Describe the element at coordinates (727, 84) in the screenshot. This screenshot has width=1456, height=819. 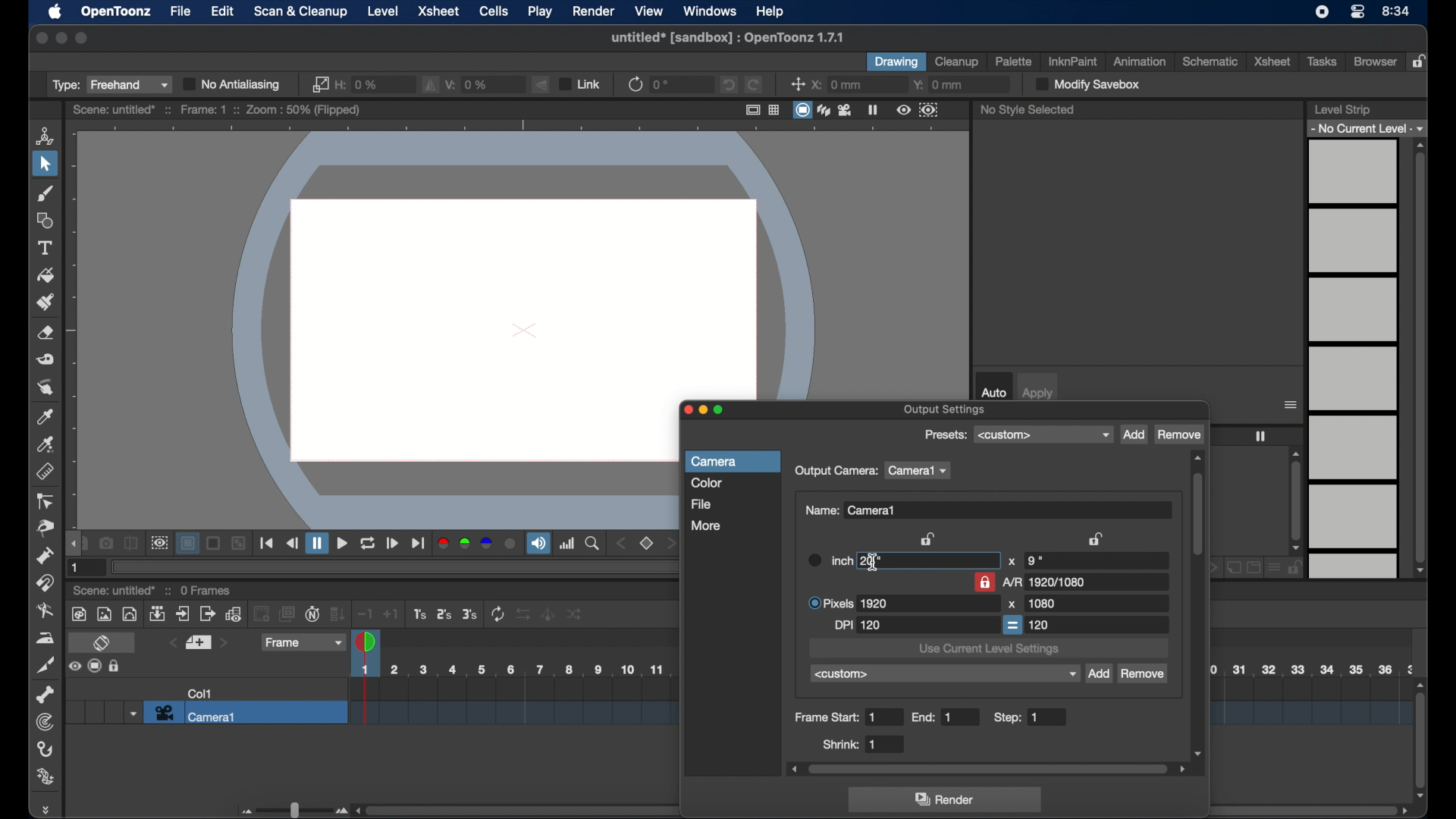
I see `undo` at that location.